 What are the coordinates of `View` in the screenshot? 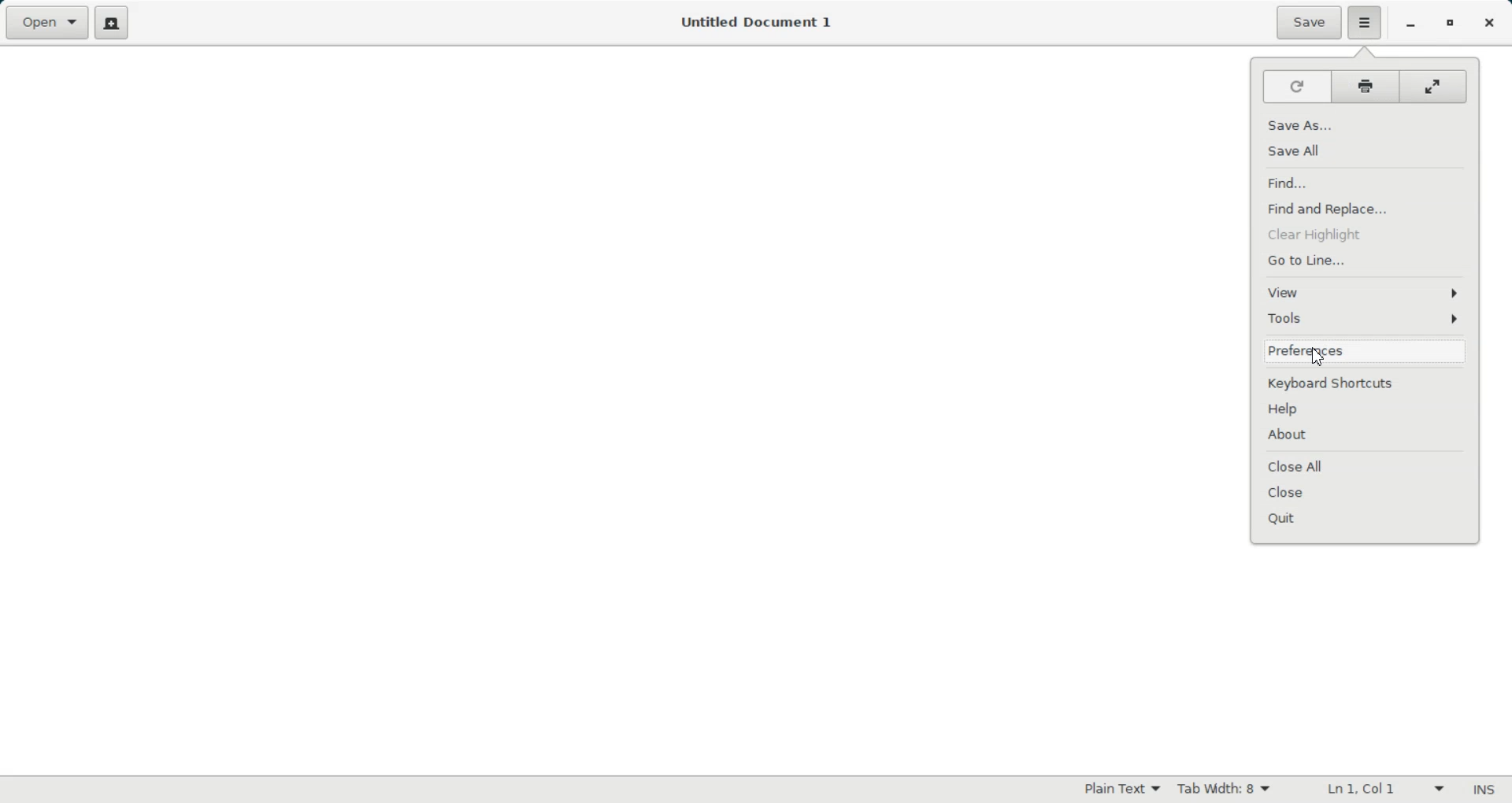 It's located at (1367, 292).